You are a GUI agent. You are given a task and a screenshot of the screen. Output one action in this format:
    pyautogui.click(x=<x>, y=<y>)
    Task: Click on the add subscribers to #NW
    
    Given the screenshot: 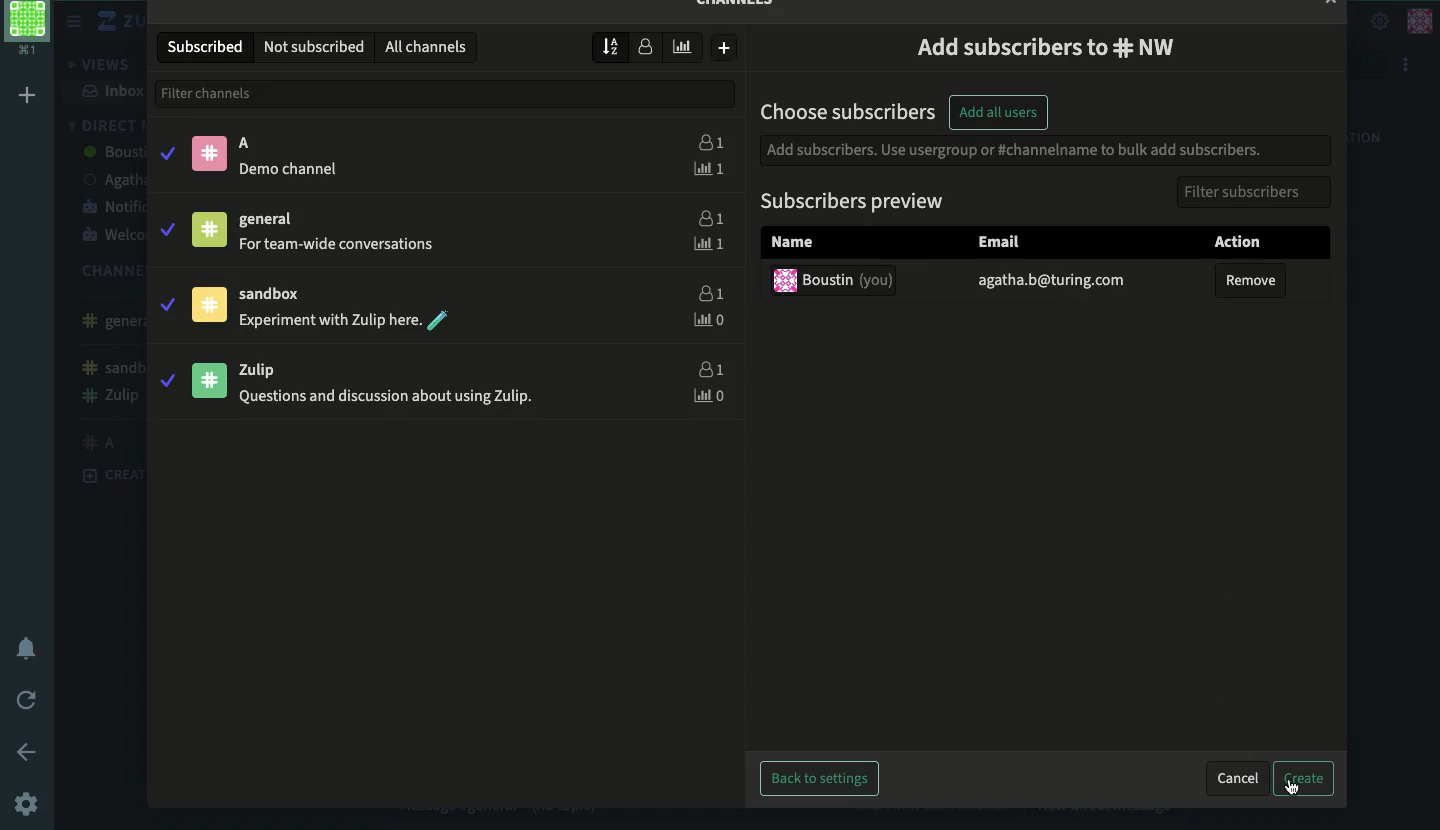 What is the action you would take?
    pyautogui.click(x=1042, y=49)
    